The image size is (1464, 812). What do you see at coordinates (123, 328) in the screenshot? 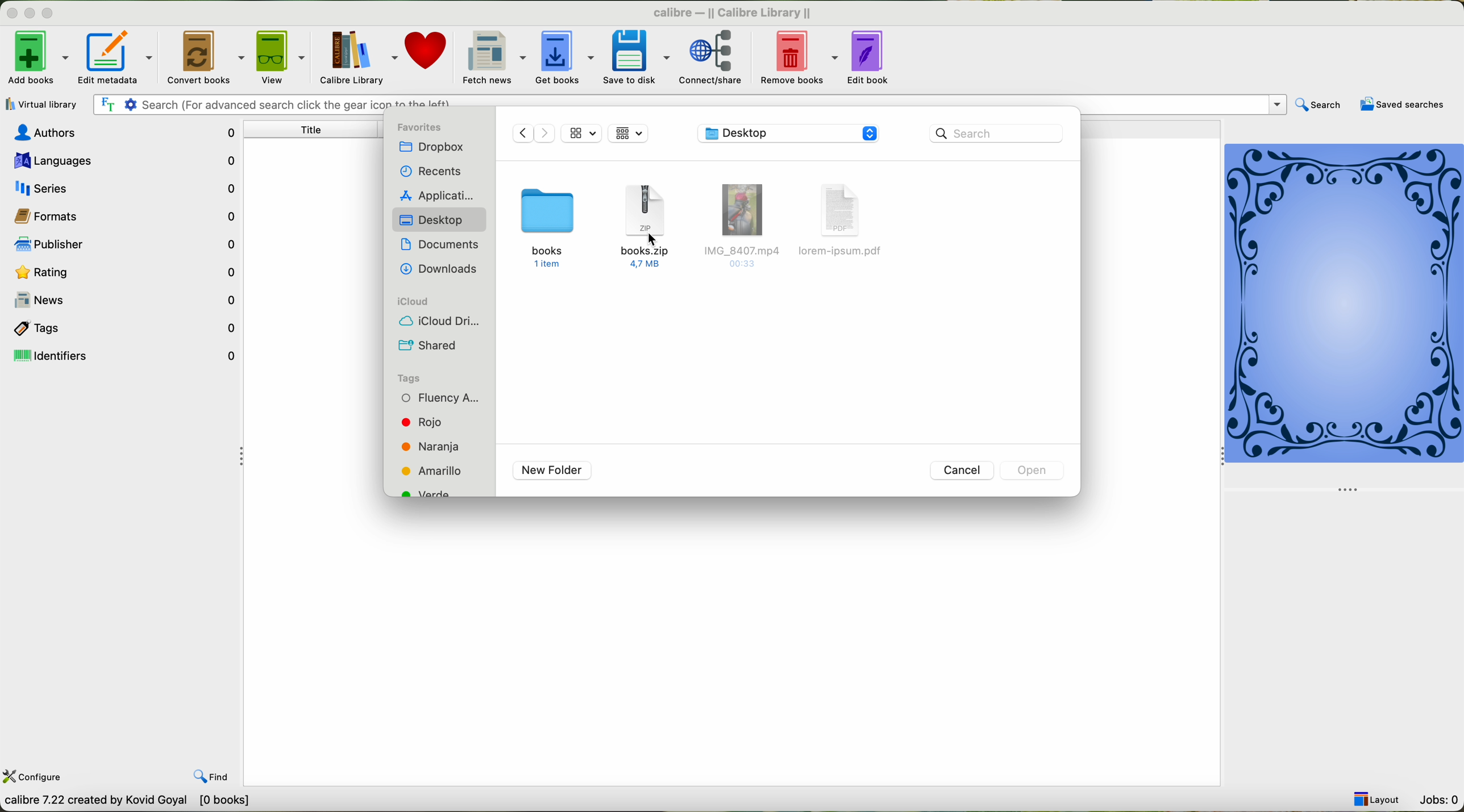
I see `tags` at bounding box center [123, 328].